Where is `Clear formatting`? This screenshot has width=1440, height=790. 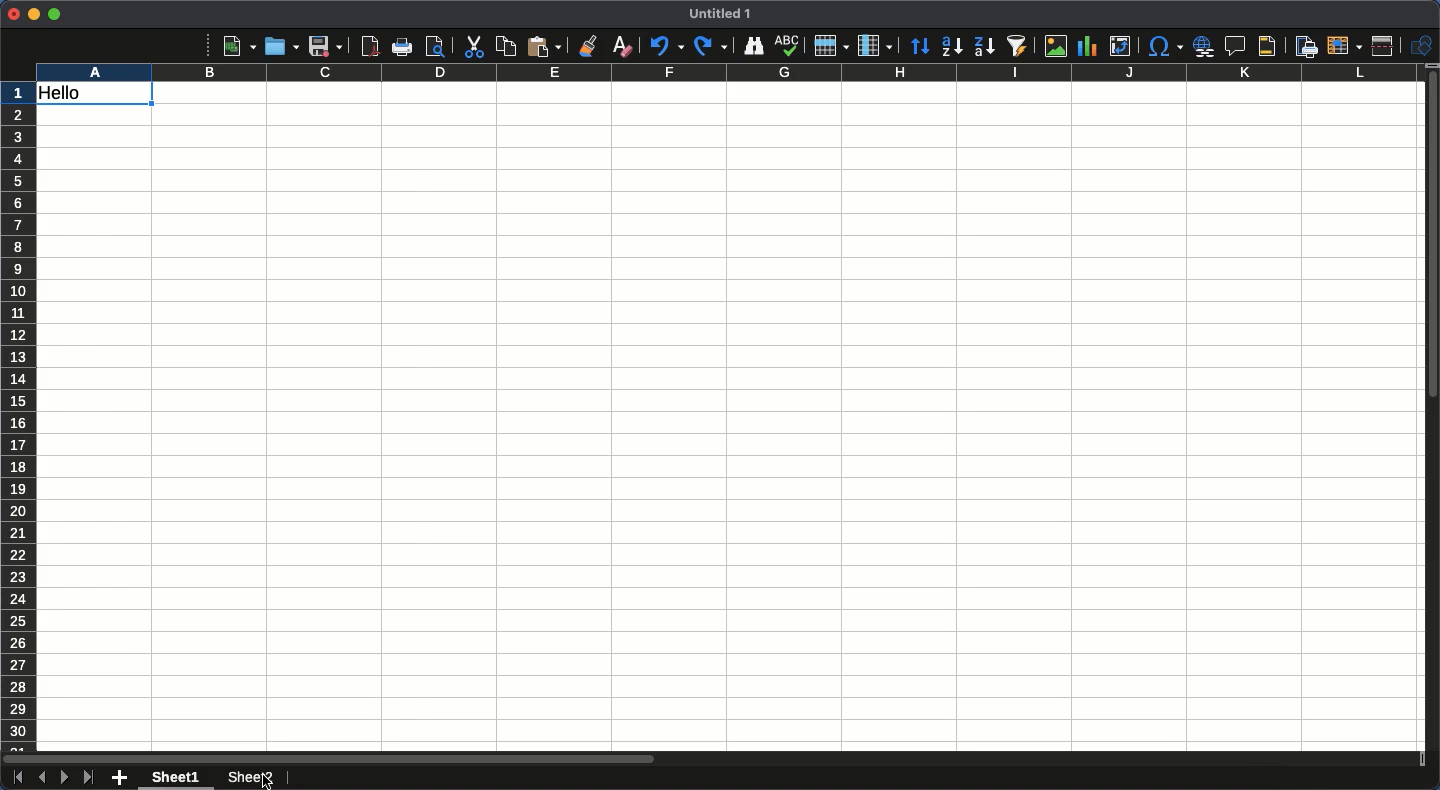 Clear formatting is located at coordinates (623, 45).